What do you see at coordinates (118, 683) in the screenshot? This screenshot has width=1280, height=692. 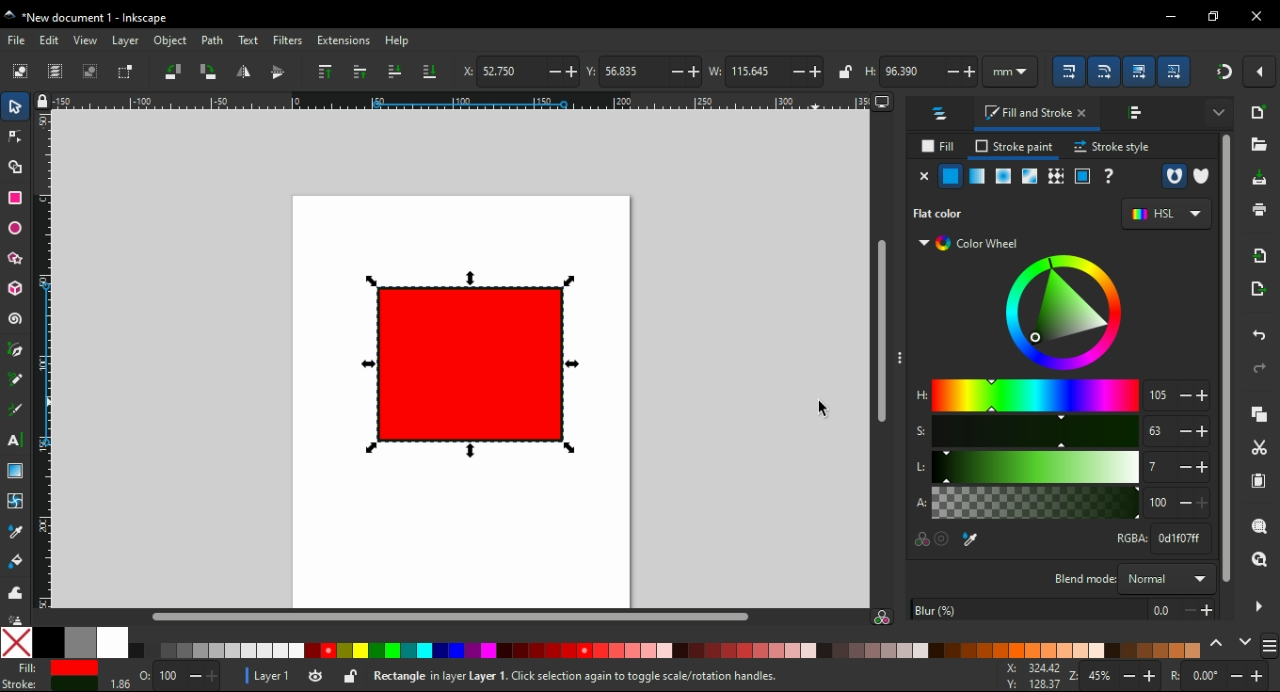 I see `1.86` at bounding box center [118, 683].